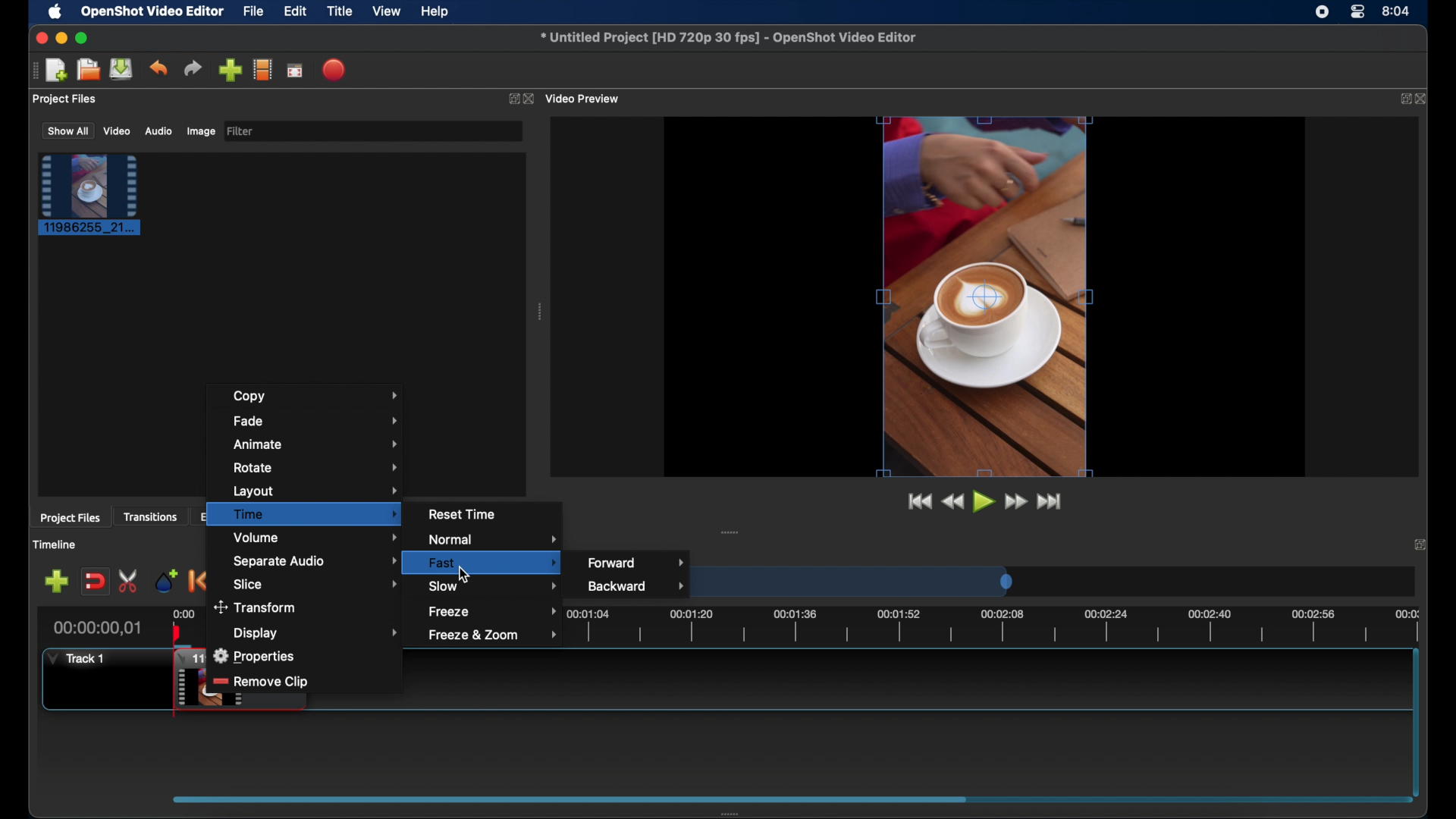  I want to click on timeline scale, so click(861, 583).